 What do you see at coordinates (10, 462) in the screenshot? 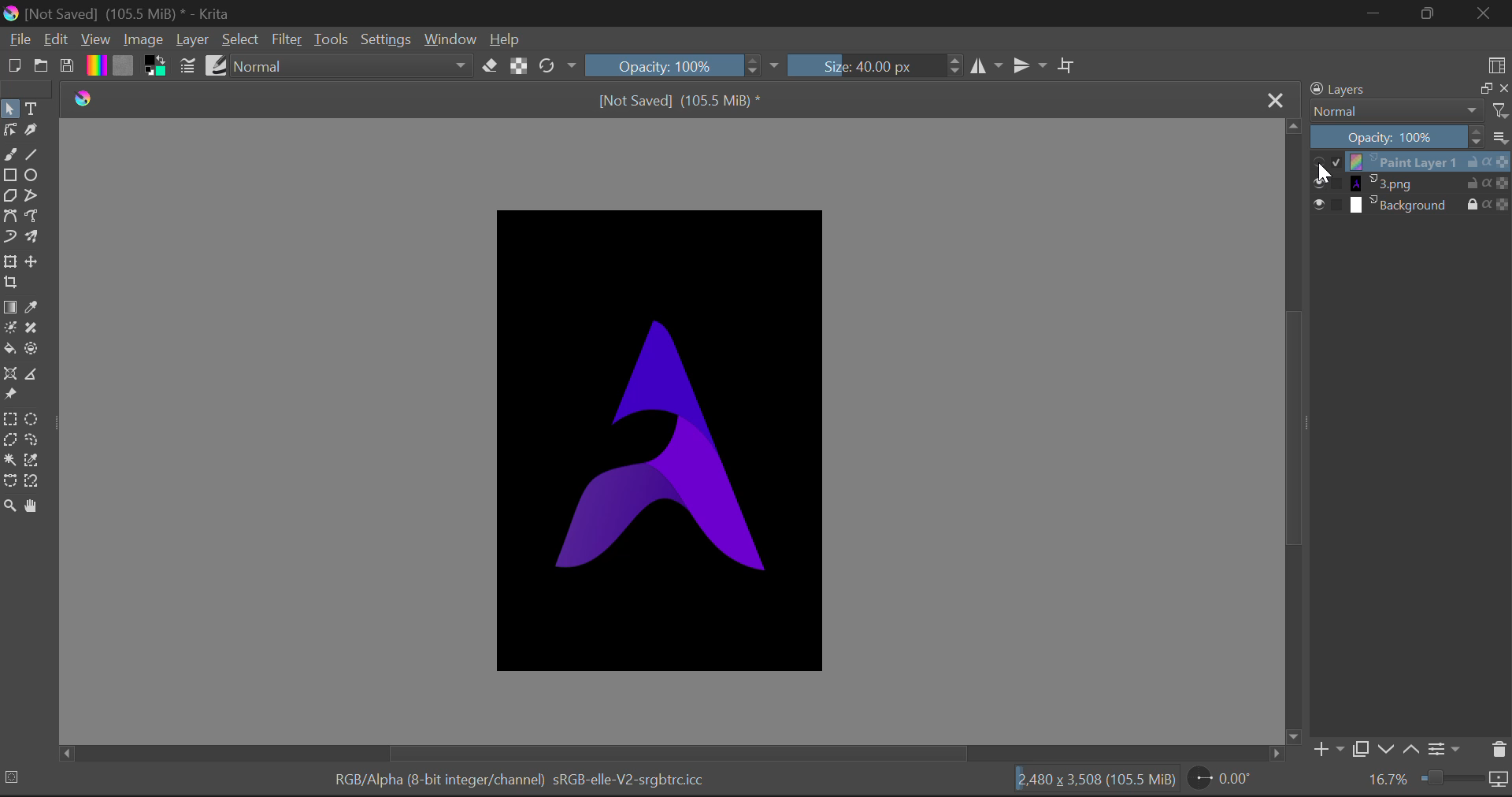
I see `Continuous Selection` at bounding box center [10, 462].